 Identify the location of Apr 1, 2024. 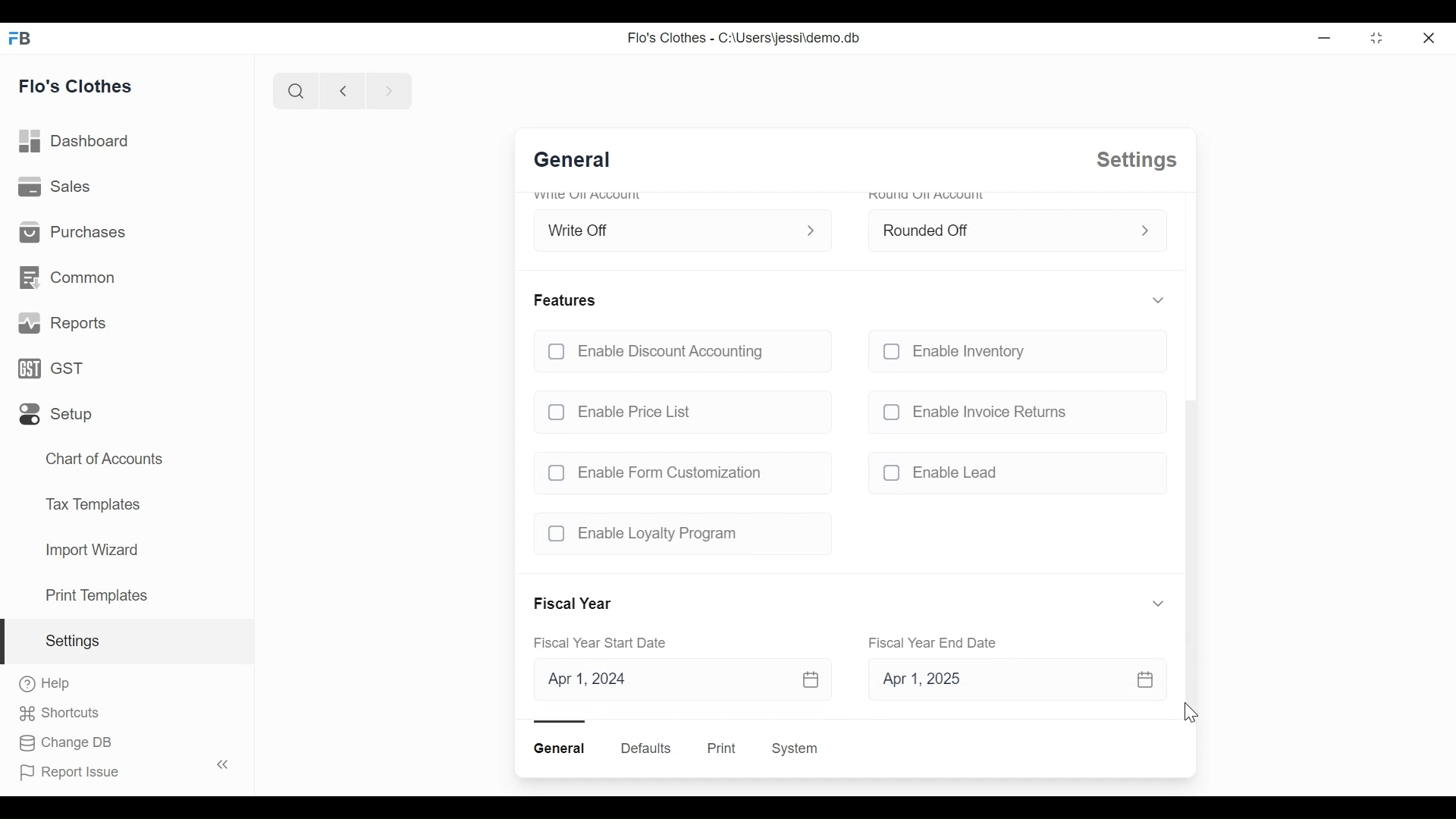
(680, 680).